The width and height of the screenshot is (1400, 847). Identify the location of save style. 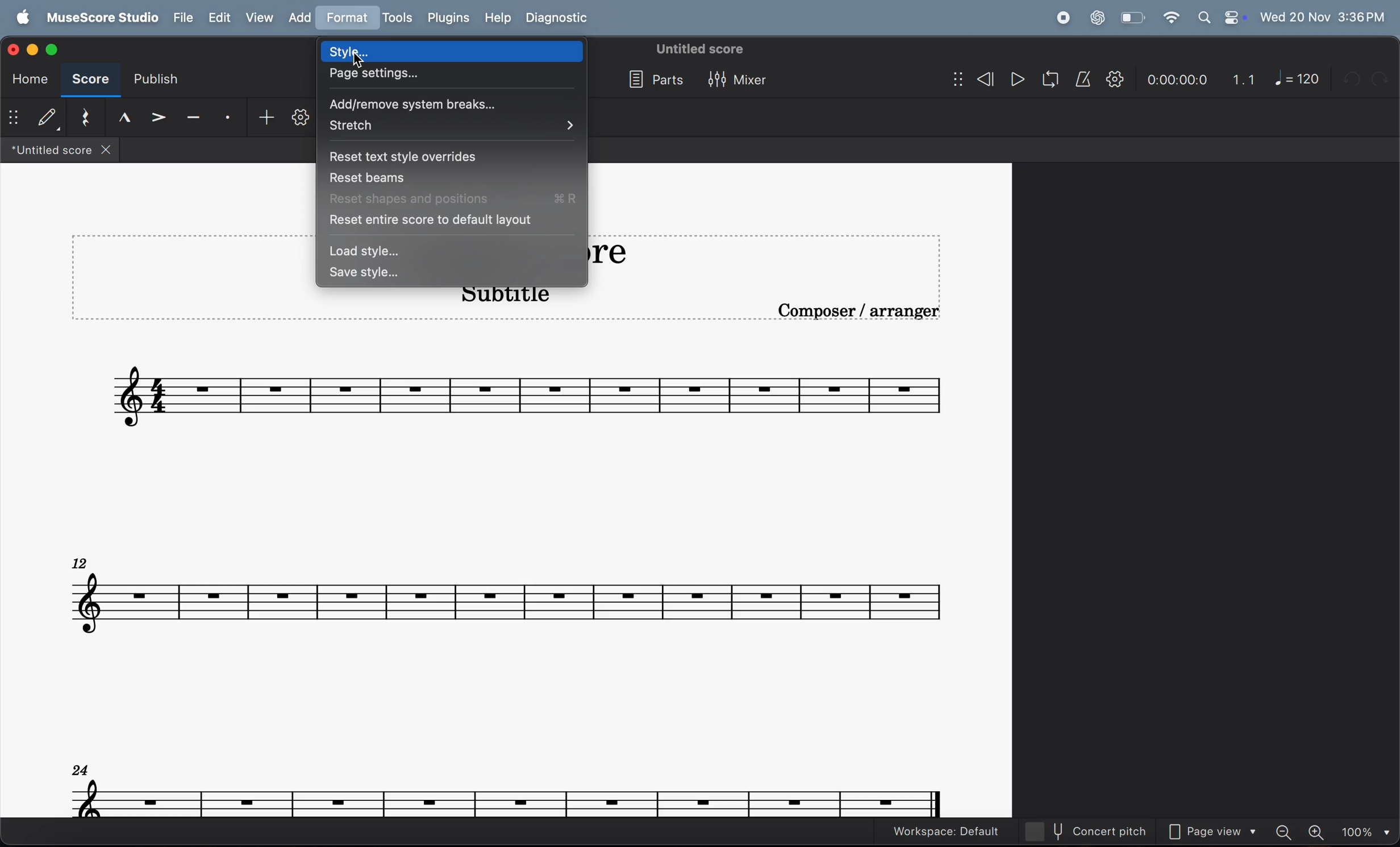
(455, 276).